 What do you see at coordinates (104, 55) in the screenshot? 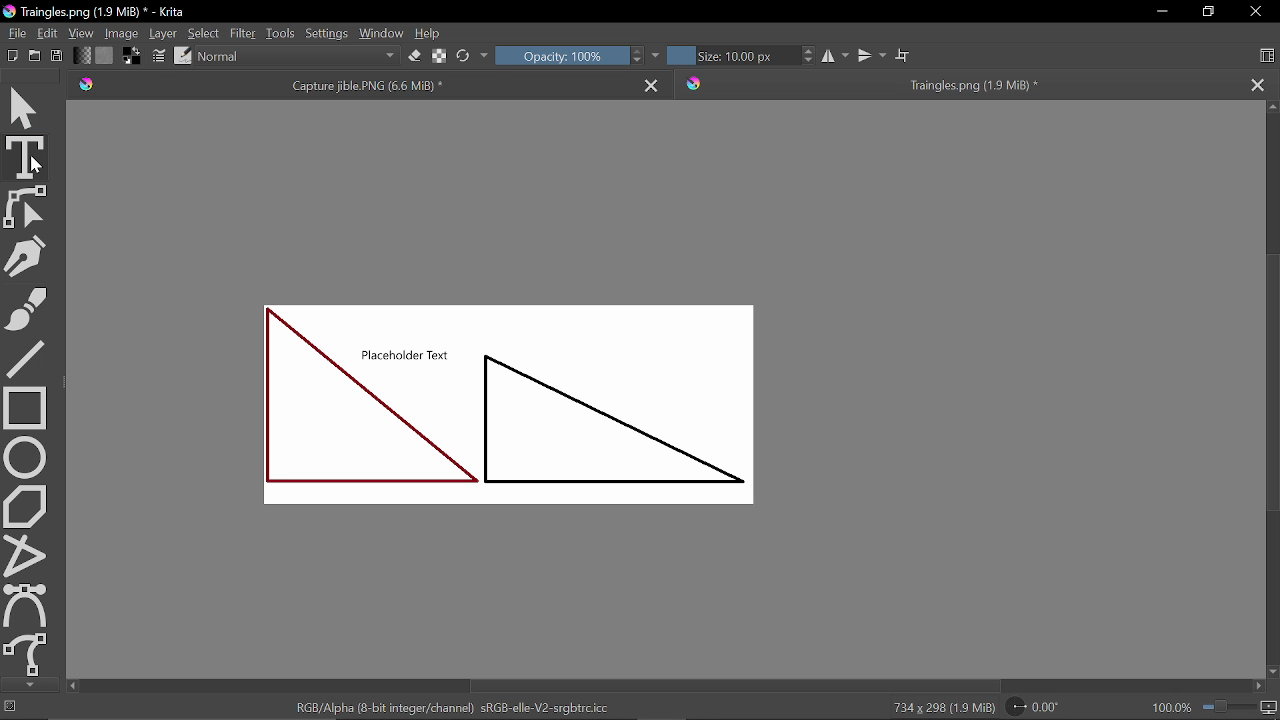
I see `Fill pattern` at bounding box center [104, 55].